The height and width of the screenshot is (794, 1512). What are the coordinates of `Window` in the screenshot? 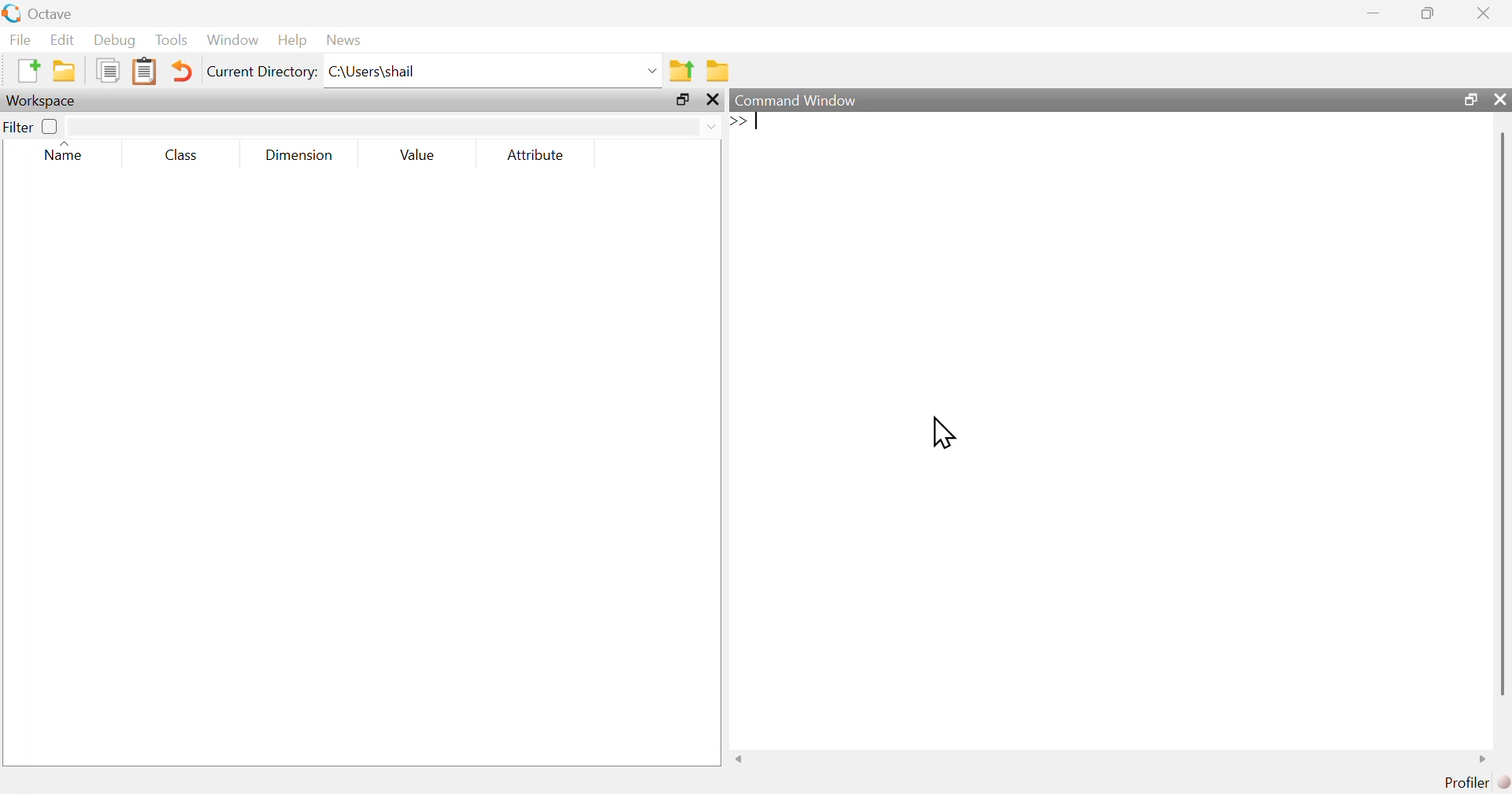 It's located at (233, 39).